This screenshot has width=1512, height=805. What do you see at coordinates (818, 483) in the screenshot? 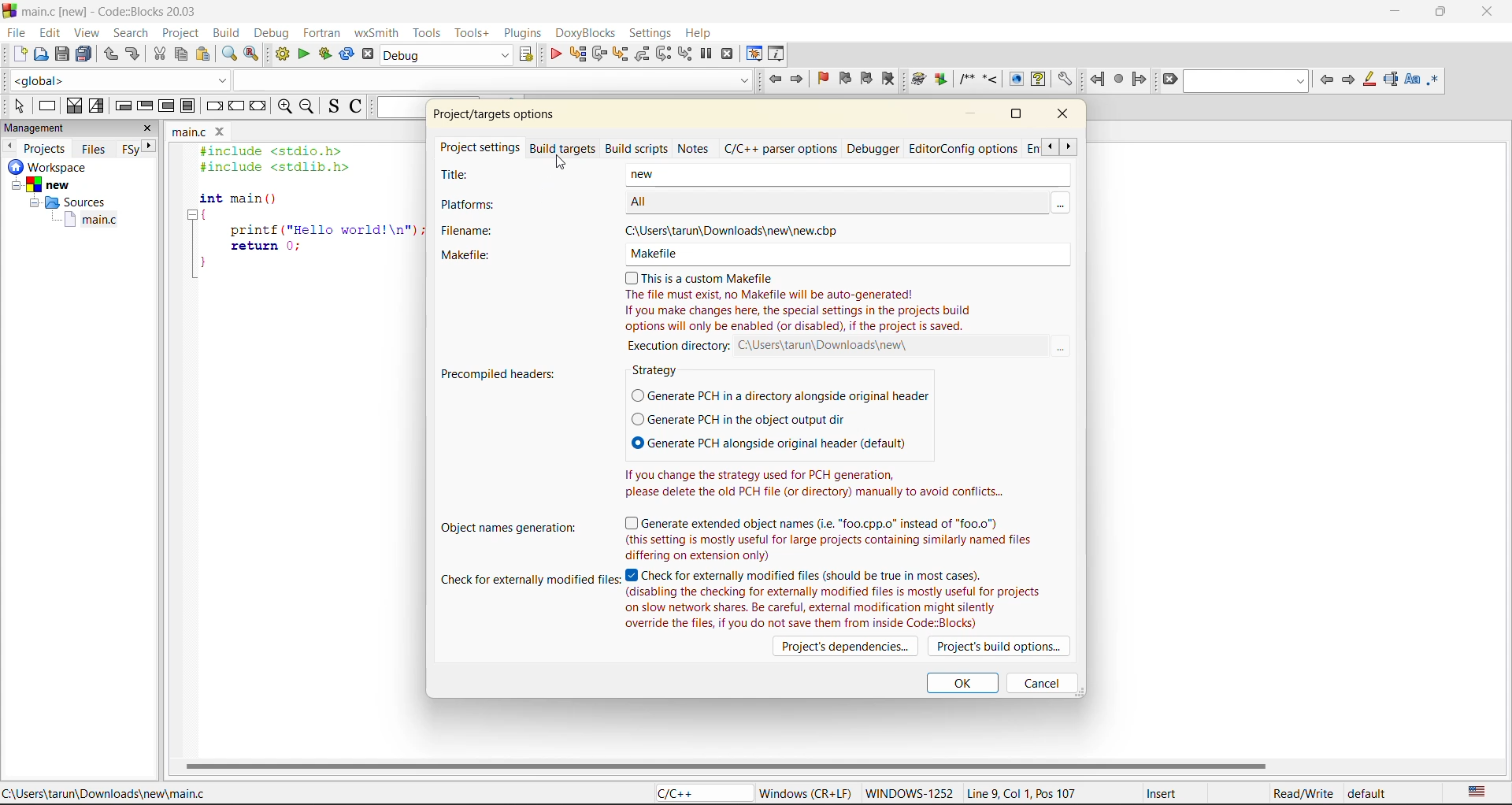
I see `If you change the strategy used for PCH generation,please delete the old PCH file (or directory) manually to avoid conflicts..` at bounding box center [818, 483].